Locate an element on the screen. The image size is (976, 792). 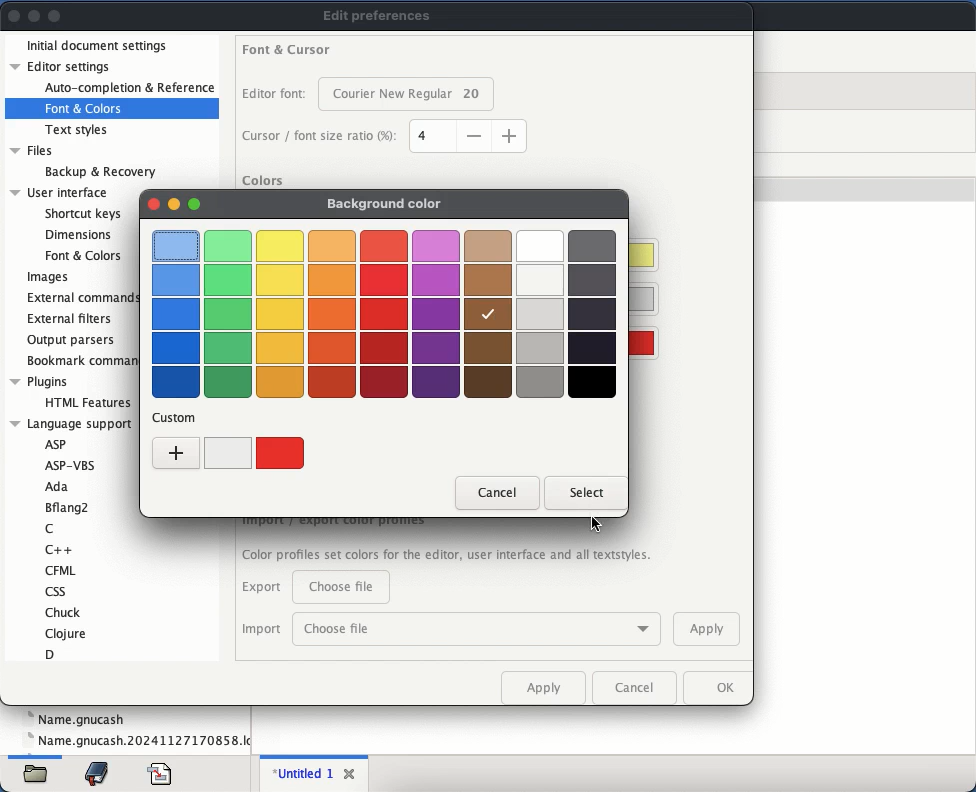
maximize is located at coordinates (195, 203).